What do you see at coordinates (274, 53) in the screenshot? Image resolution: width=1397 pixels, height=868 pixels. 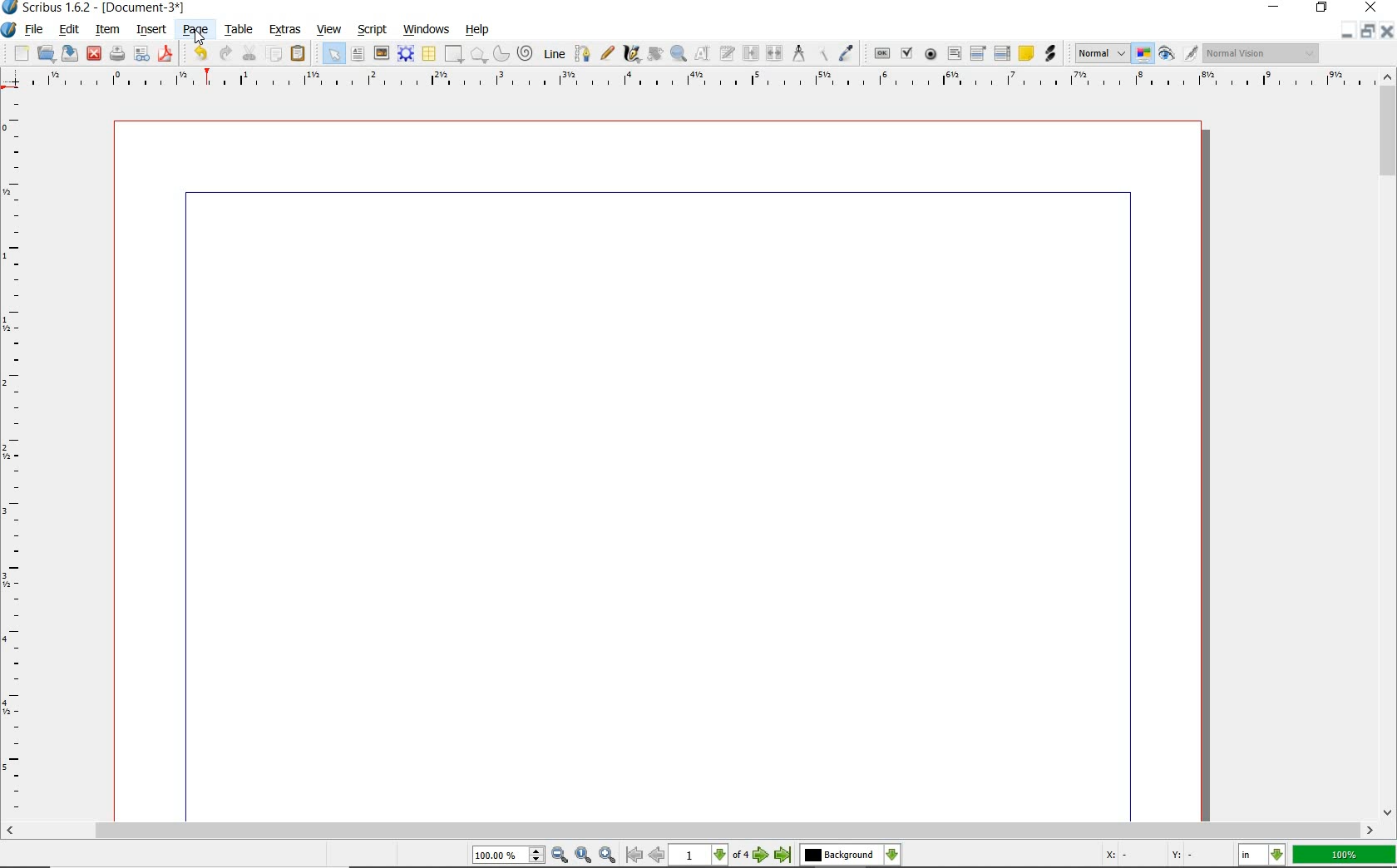 I see `copy` at bounding box center [274, 53].